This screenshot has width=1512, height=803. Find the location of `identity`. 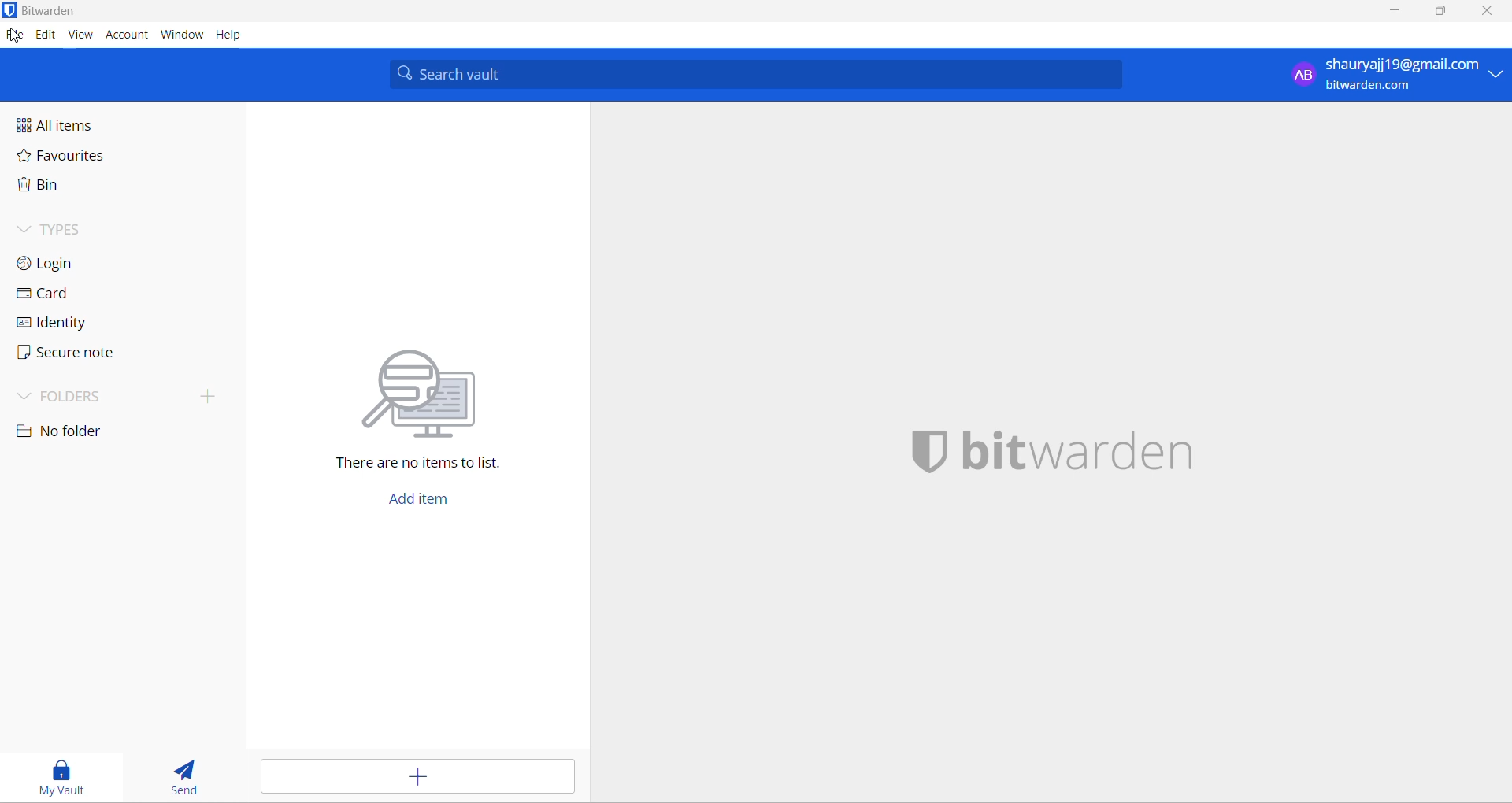

identity is located at coordinates (103, 326).